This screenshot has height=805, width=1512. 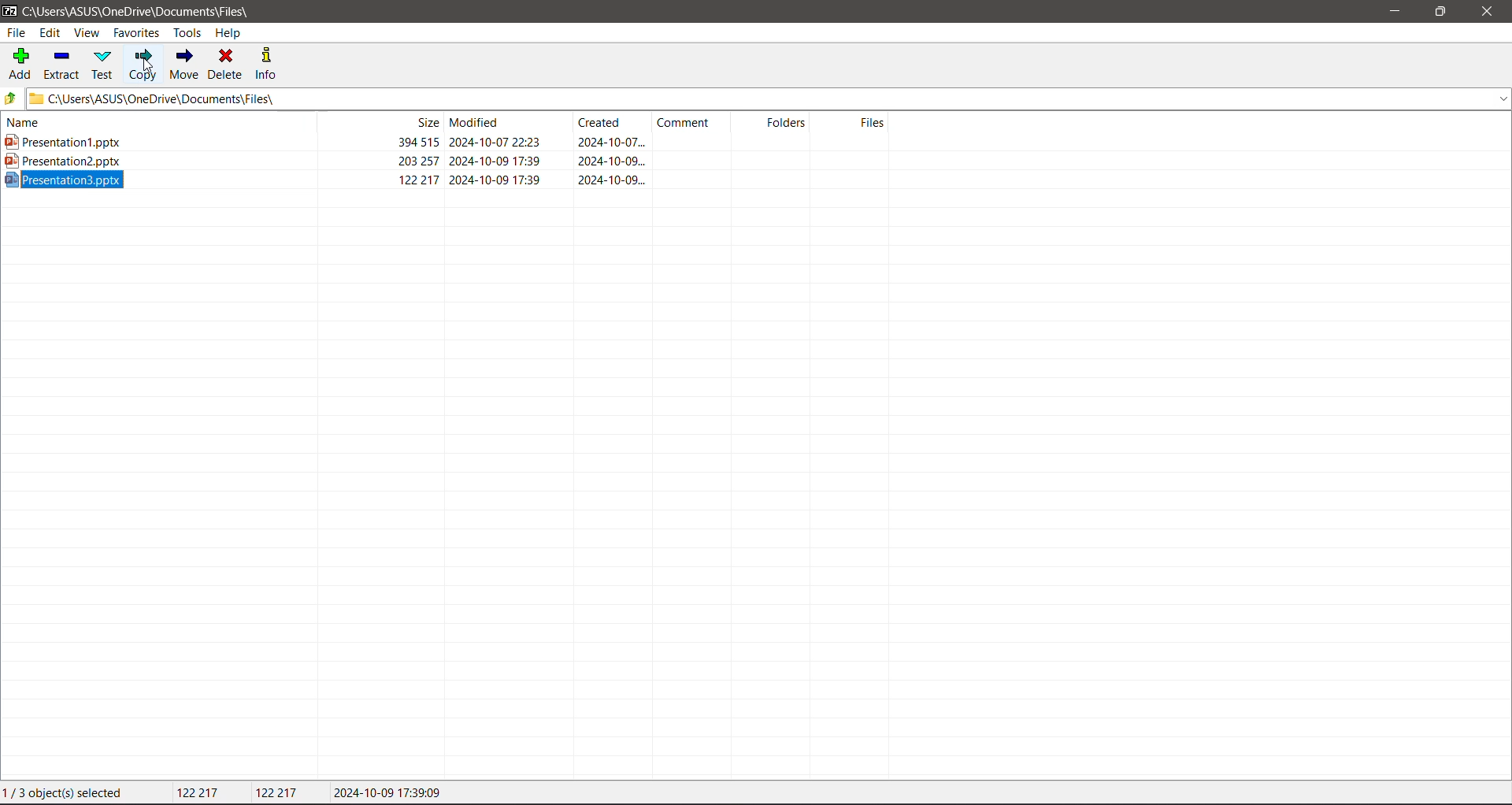 What do you see at coordinates (230, 34) in the screenshot?
I see `Help` at bounding box center [230, 34].